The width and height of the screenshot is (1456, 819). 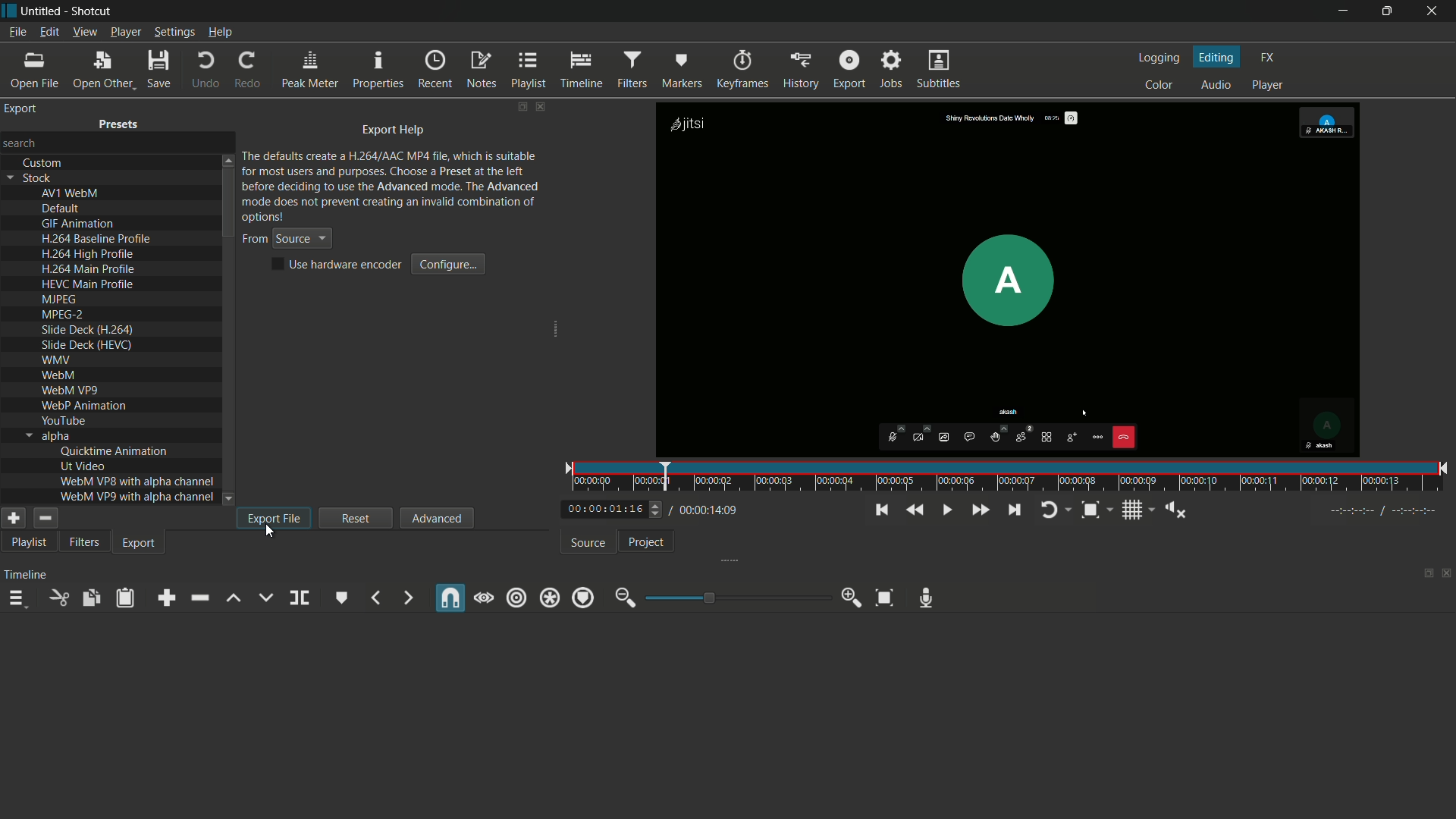 What do you see at coordinates (60, 208) in the screenshot?
I see `default` at bounding box center [60, 208].